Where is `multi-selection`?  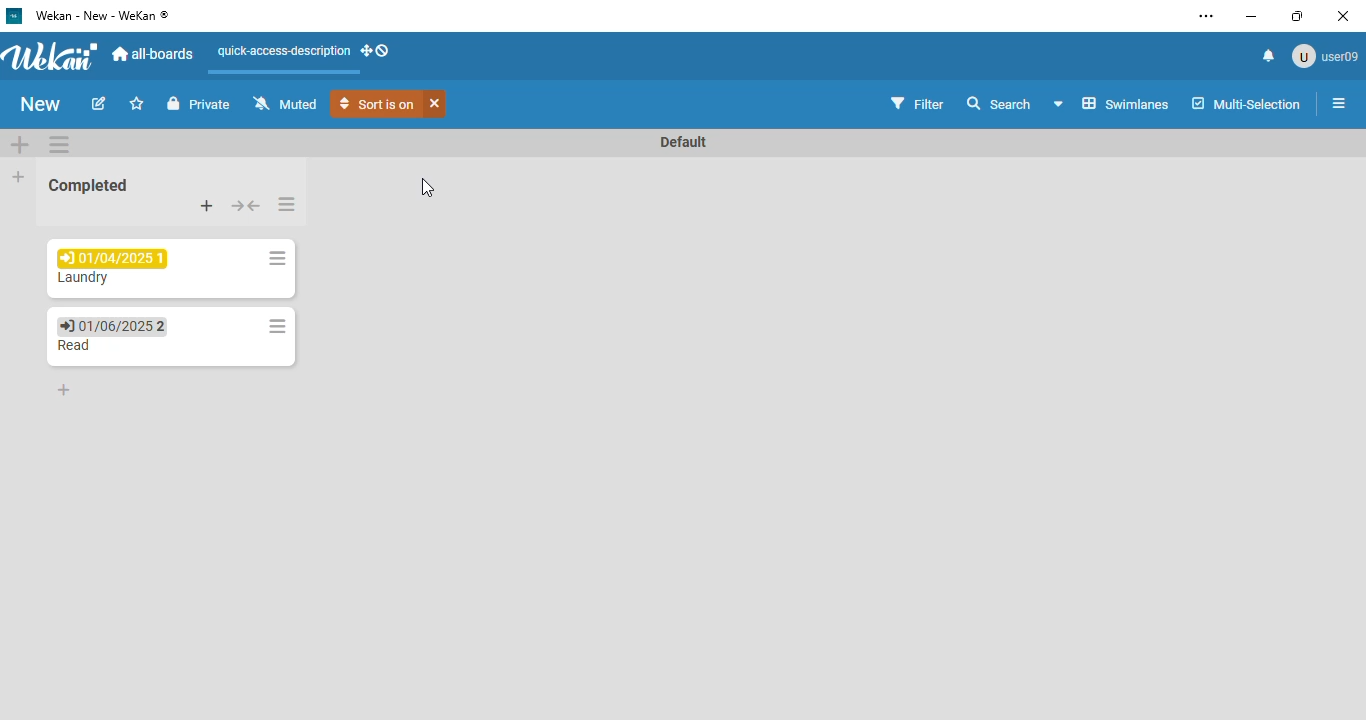
multi-selection is located at coordinates (1246, 103).